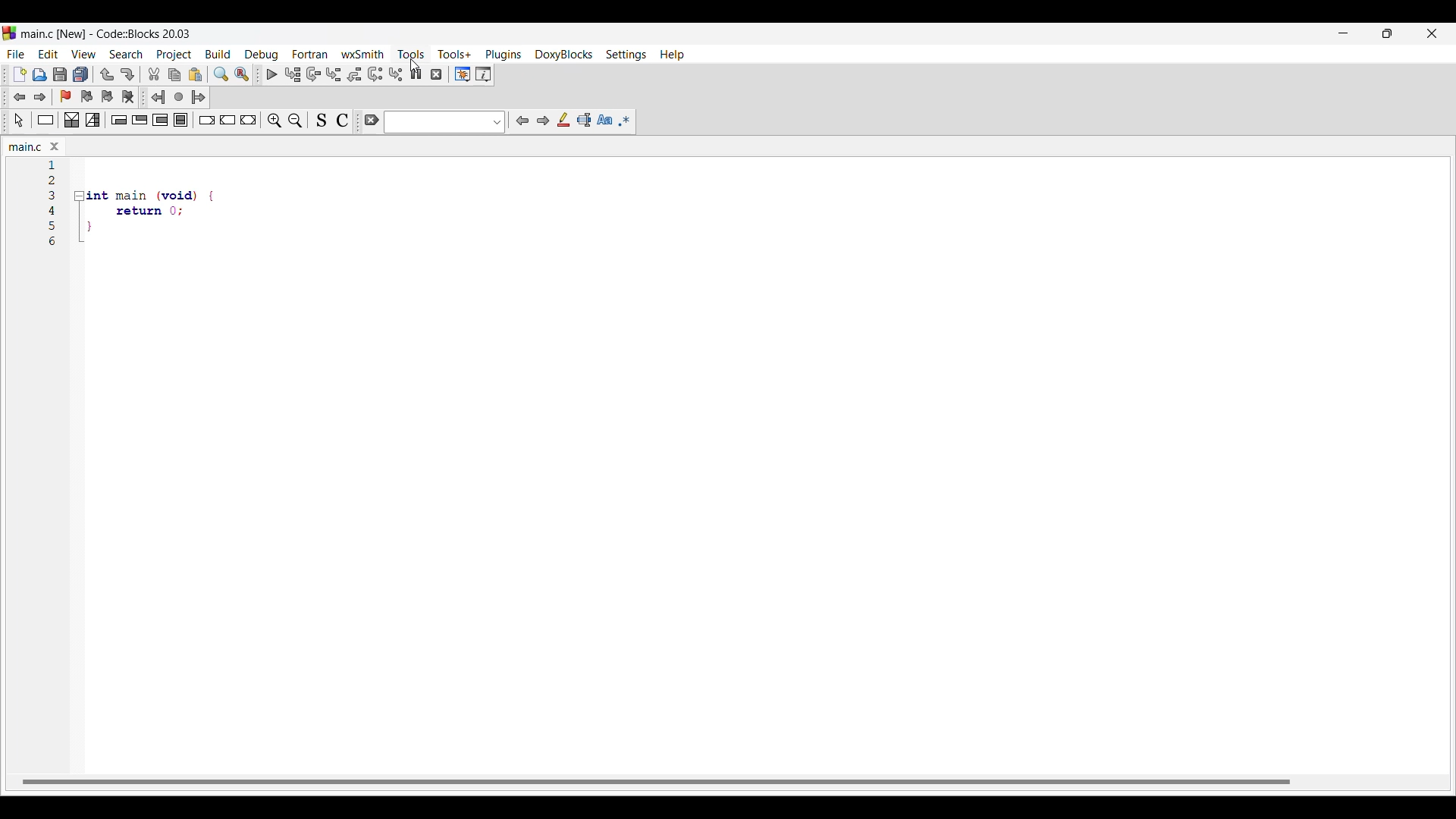 The height and width of the screenshot is (819, 1456). I want to click on Current code, so click(133, 205).